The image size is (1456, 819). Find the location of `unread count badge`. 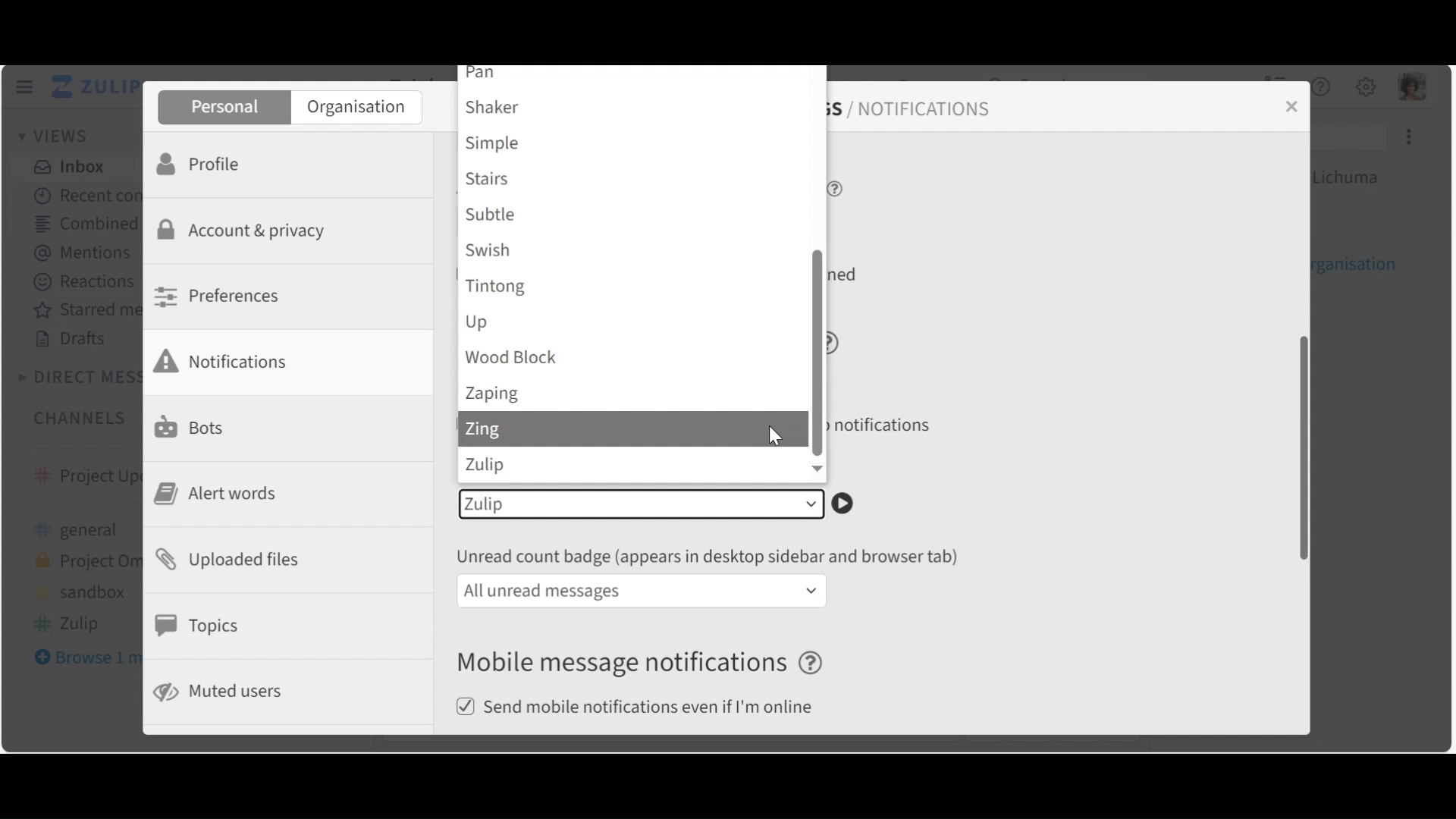

unread count badge is located at coordinates (713, 557).